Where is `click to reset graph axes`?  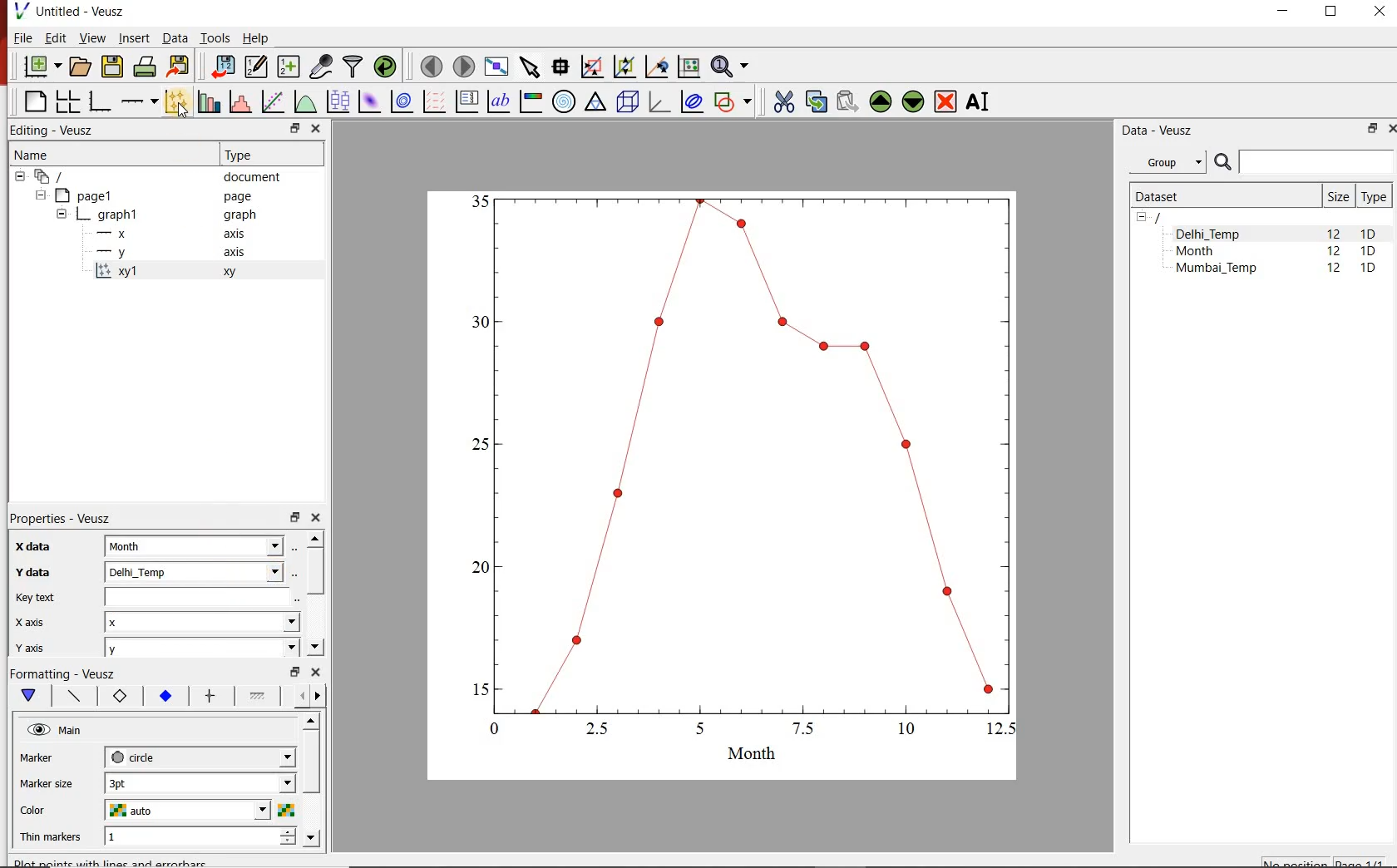
click to reset graph axes is located at coordinates (689, 67).